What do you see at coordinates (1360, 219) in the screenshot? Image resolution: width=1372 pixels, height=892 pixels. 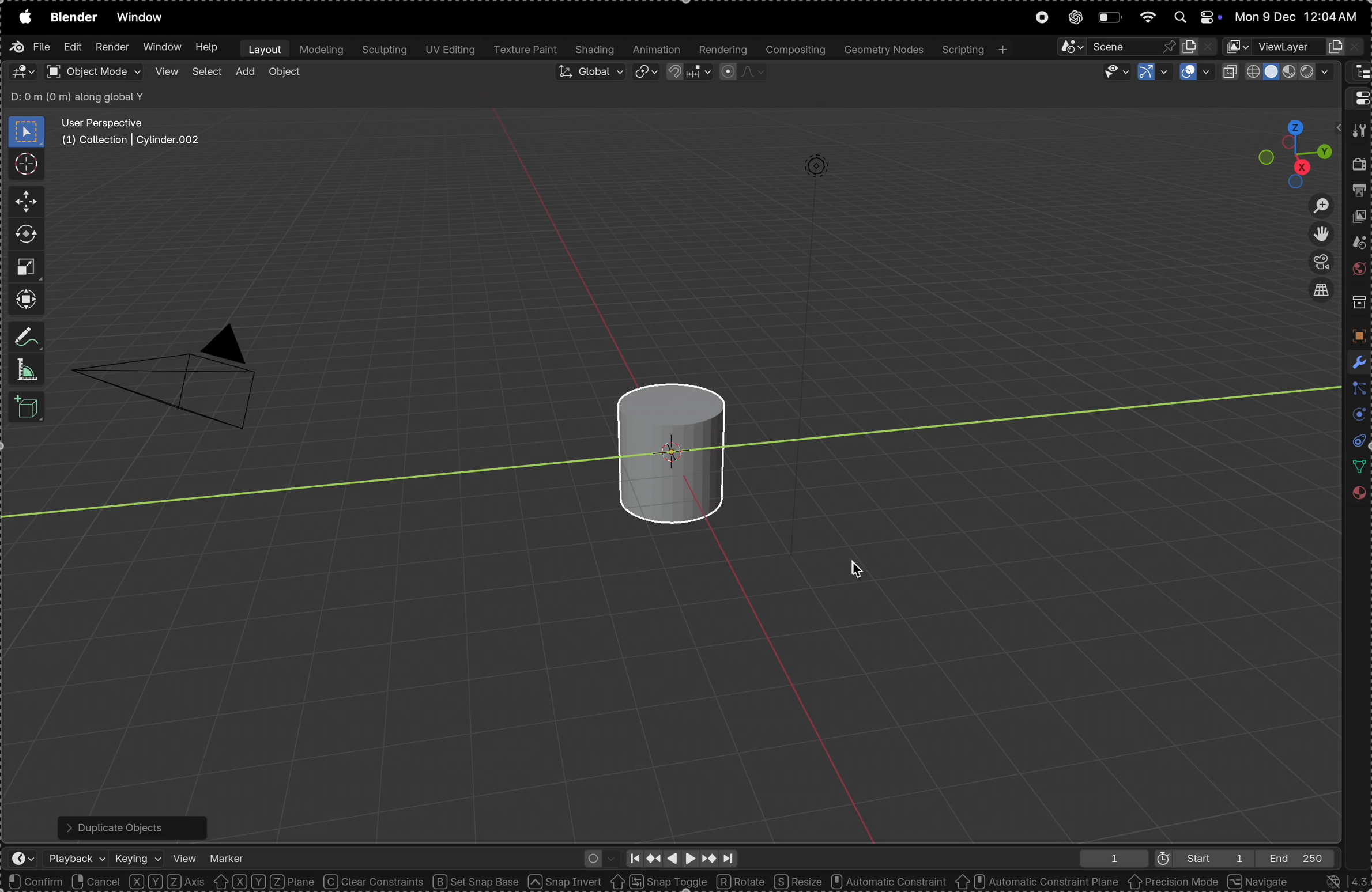 I see `view layer` at bounding box center [1360, 219].